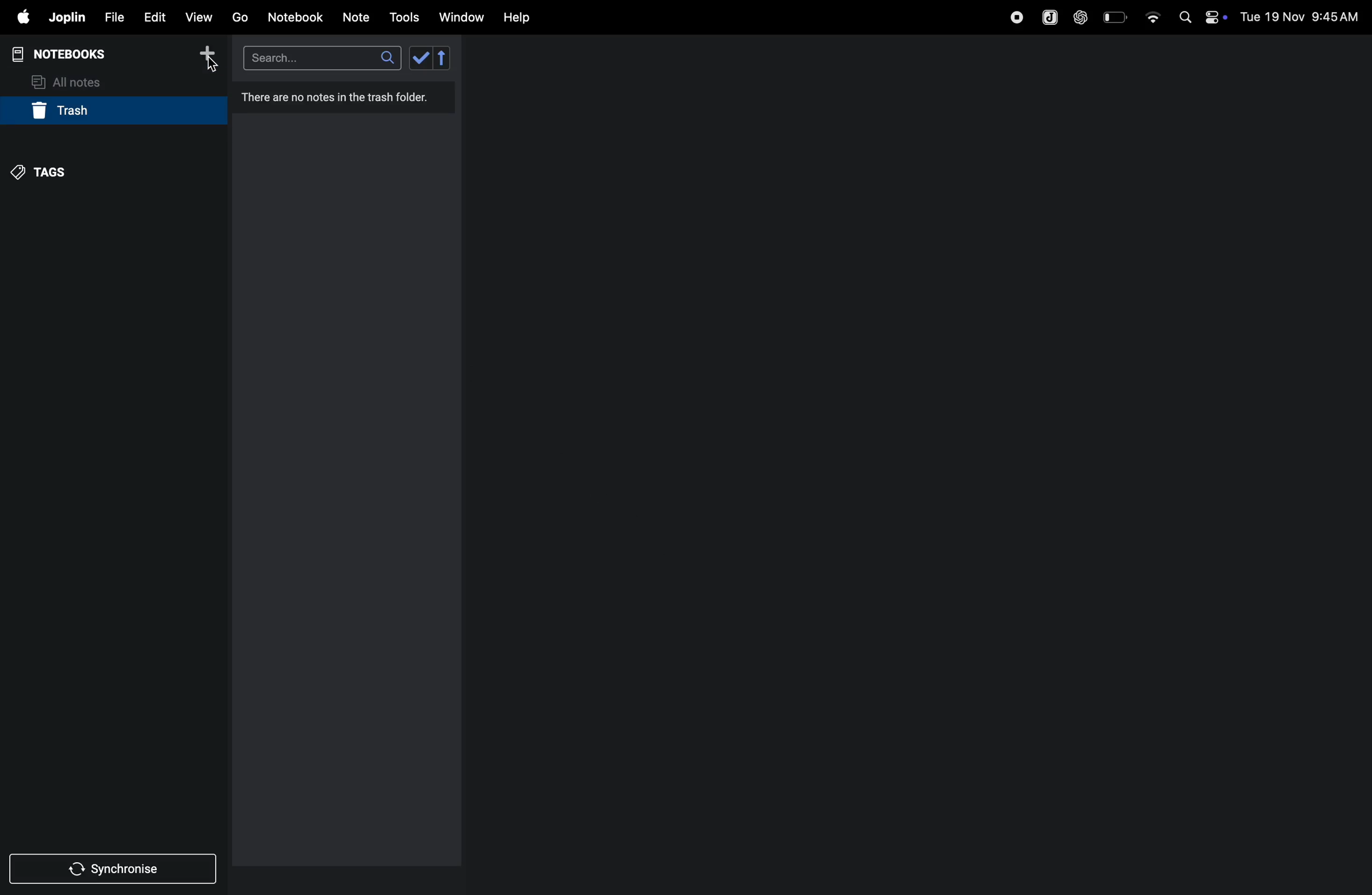 The image size is (1372, 895). I want to click on search, so click(320, 58).